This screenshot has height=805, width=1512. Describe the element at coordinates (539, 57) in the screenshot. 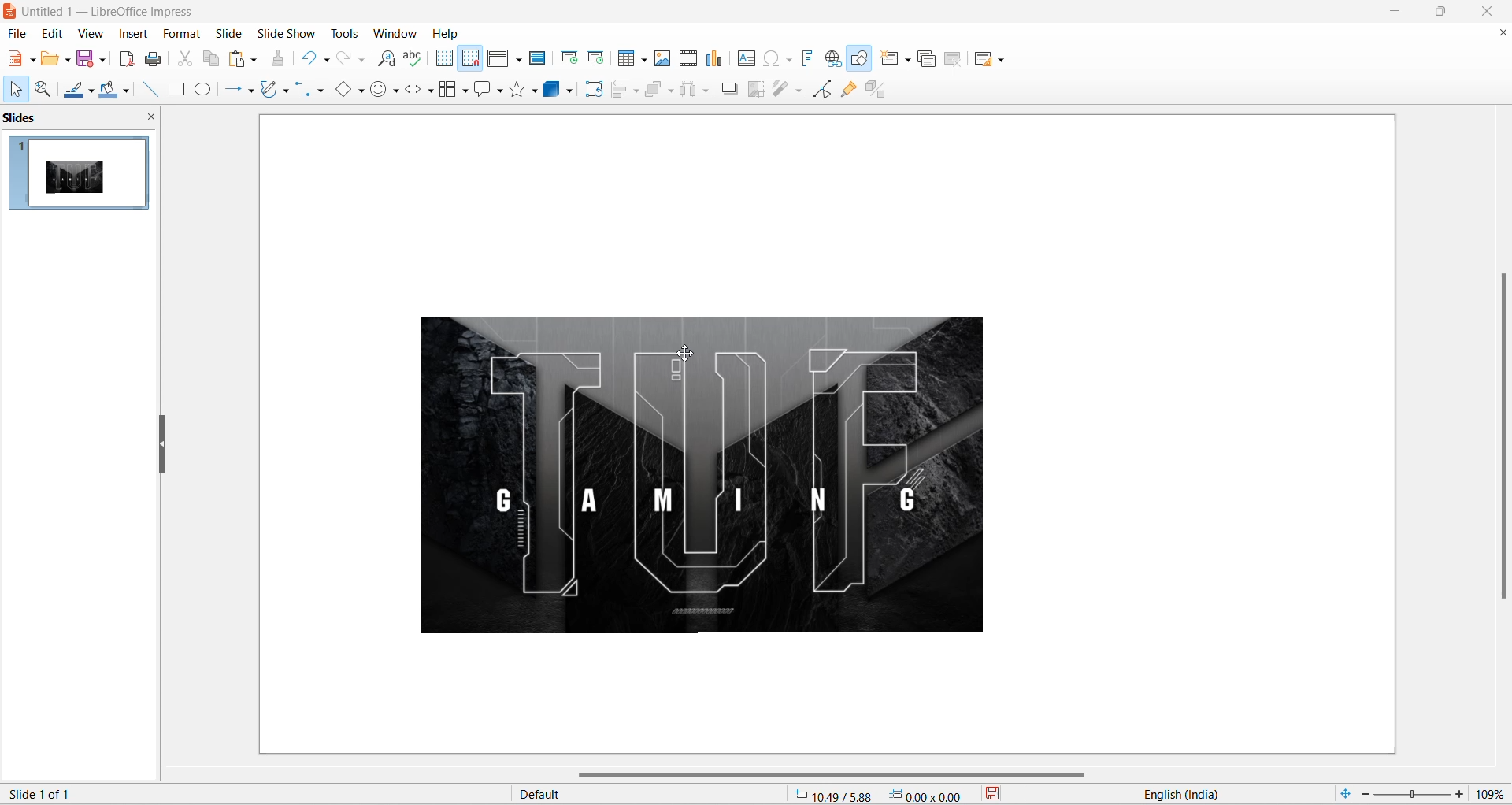

I see `master slide` at that location.